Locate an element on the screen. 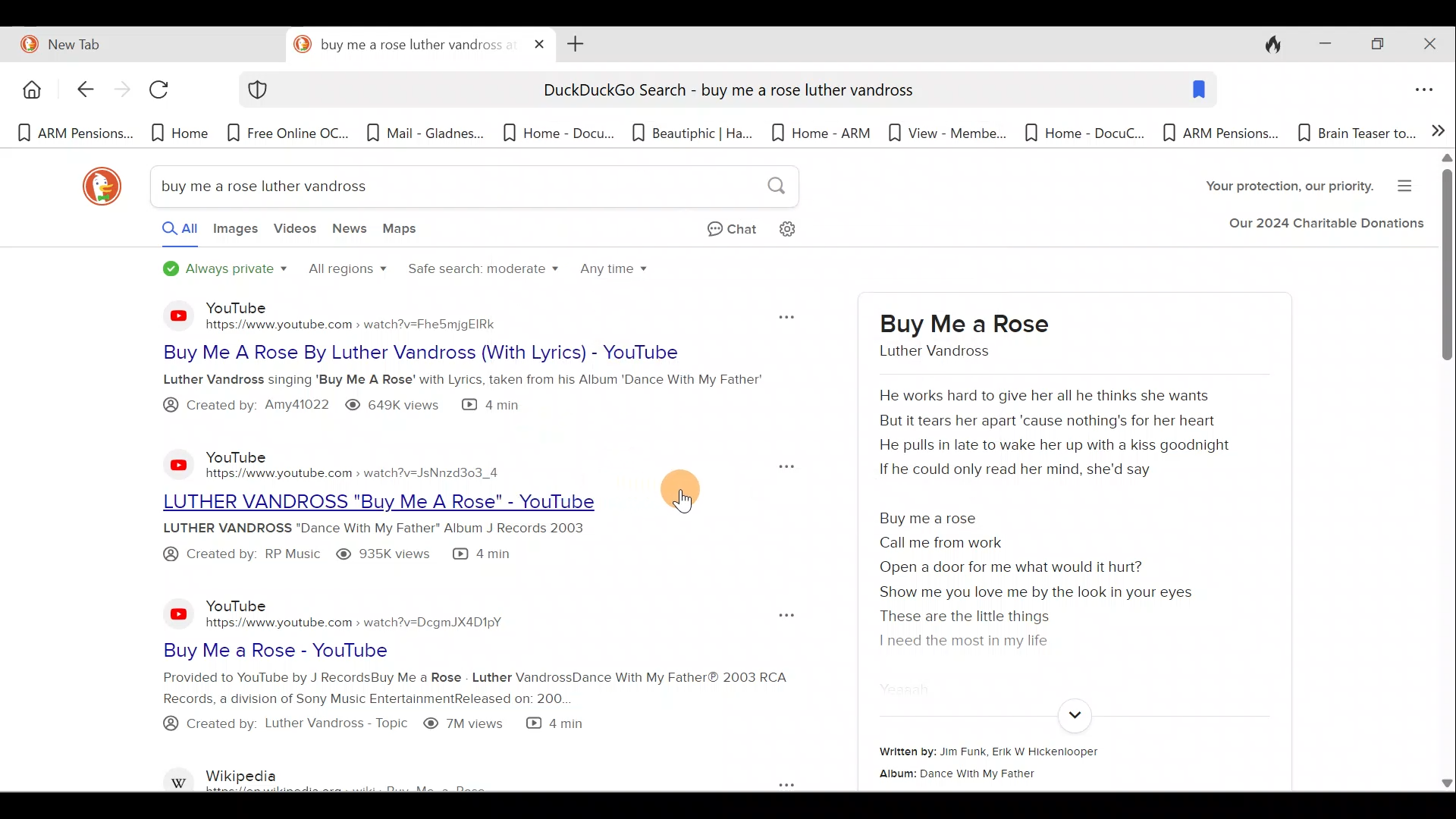  Always private is located at coordinates (226, 270).